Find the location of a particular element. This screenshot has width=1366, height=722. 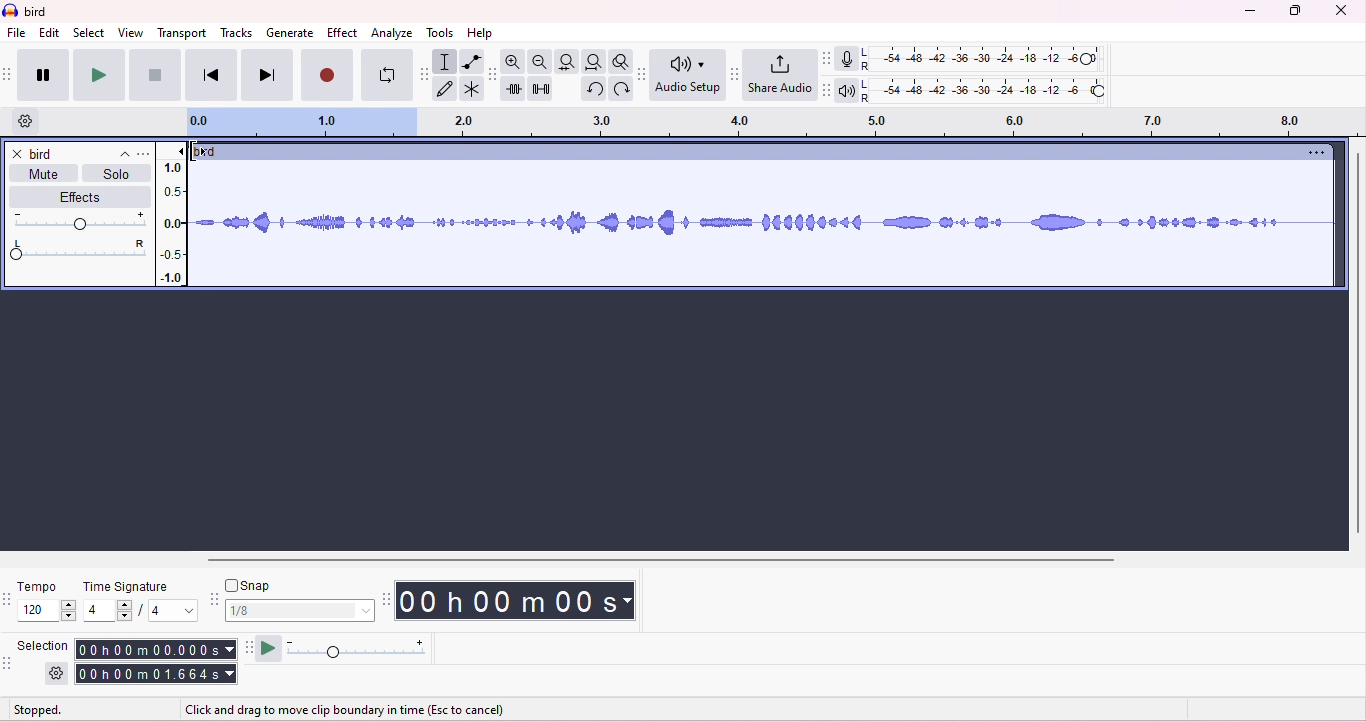

fit selection to width is located at coordinates (566, 61).